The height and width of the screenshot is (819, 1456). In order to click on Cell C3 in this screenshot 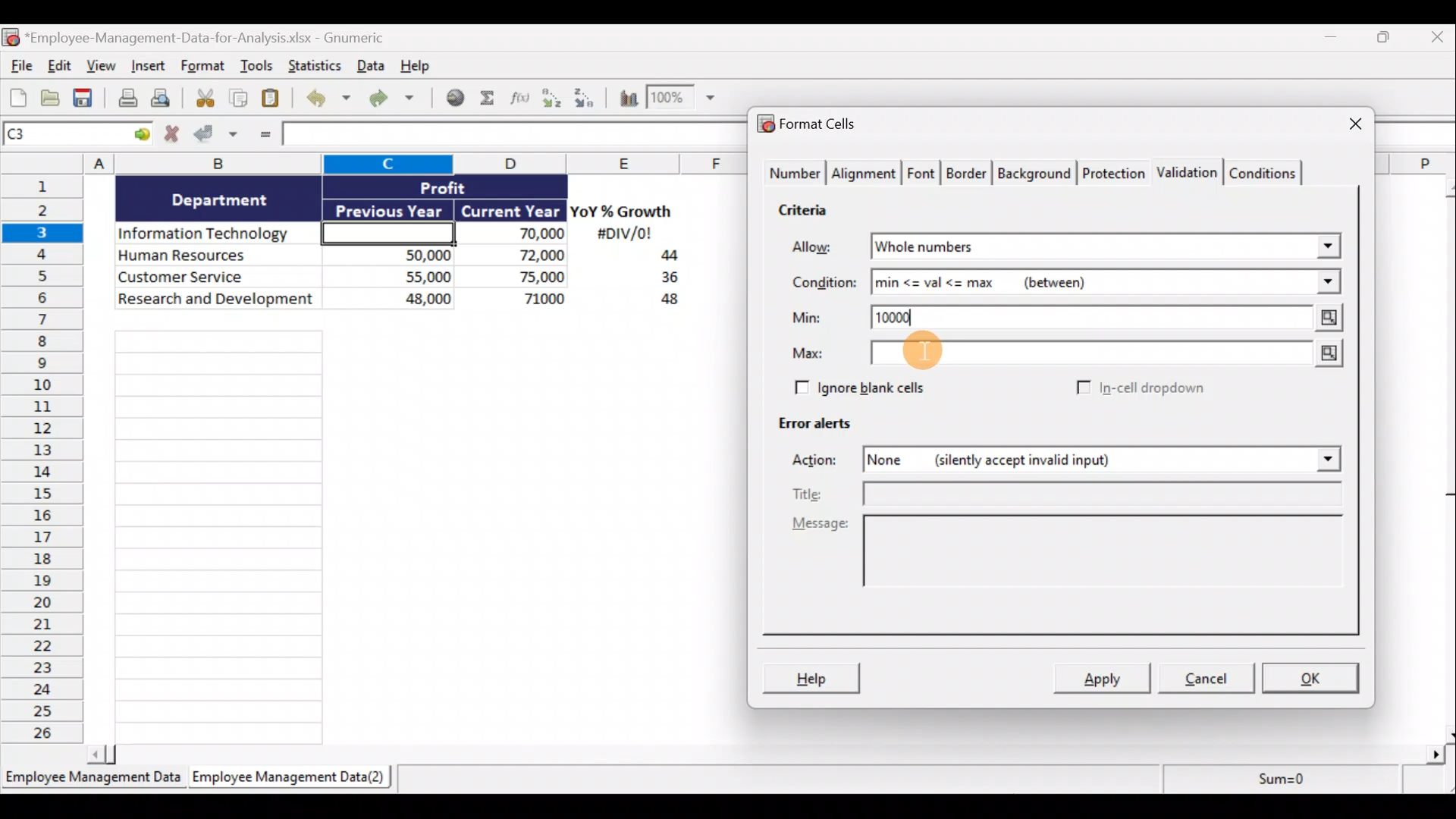, I will do `click(384, 231)`.